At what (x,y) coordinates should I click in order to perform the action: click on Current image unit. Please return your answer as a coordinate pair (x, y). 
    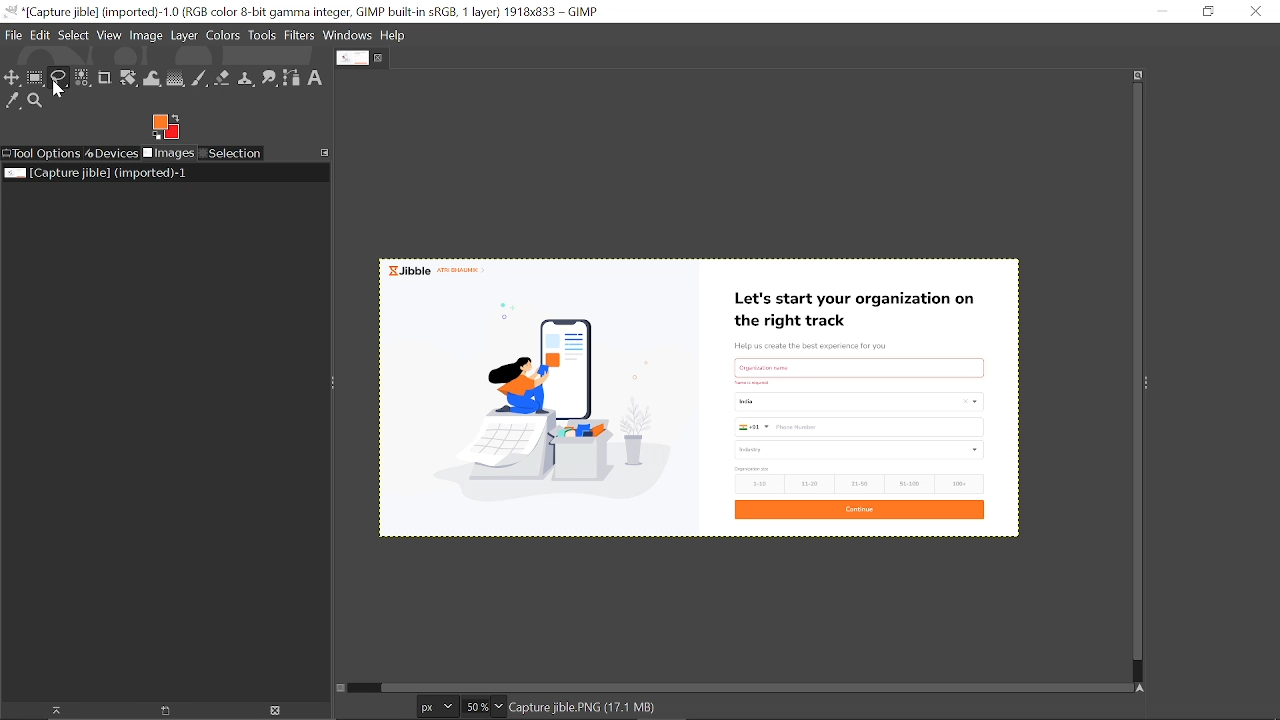
    Looking at the image, I should click on (435, 707).